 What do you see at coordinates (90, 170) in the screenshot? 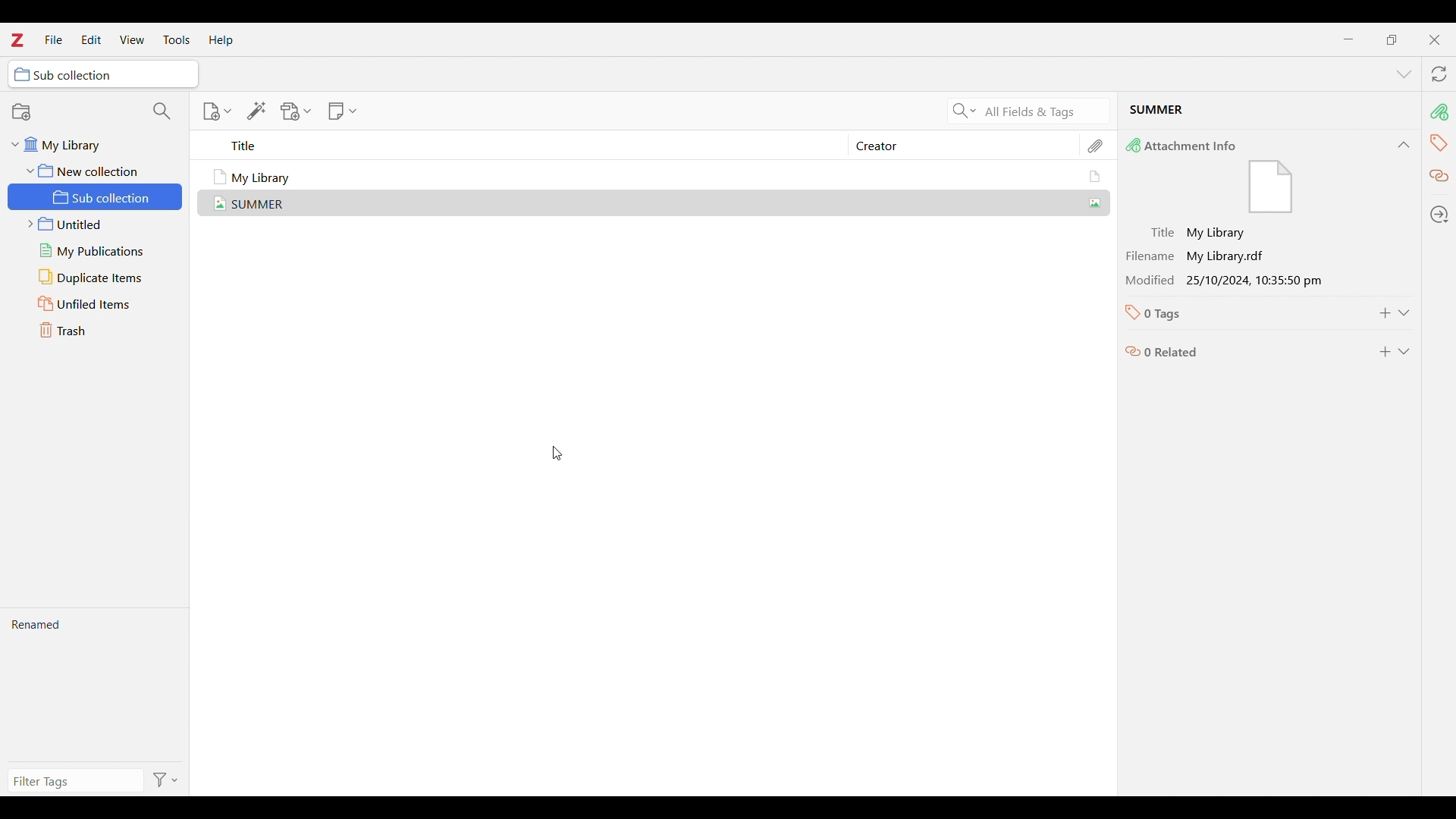
I see `New collection folder` at bounding box center [90, 170].